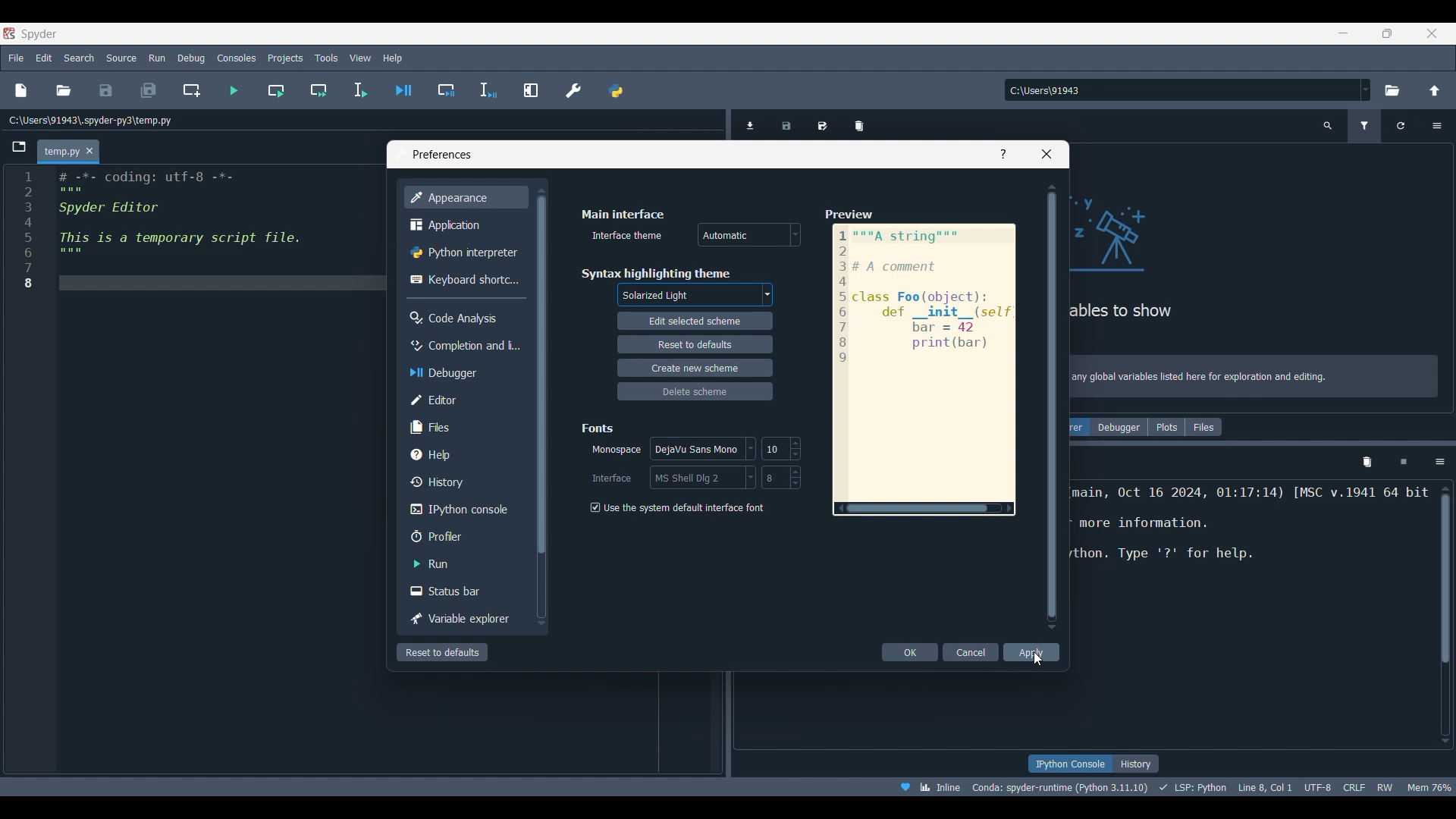 Image resolution: width=1456 pixels, height=819 pixels. What do you see at coordinates (1250, 538) in the screenshot?
I see `ipython console pane` at bounding box center [1250, 538].